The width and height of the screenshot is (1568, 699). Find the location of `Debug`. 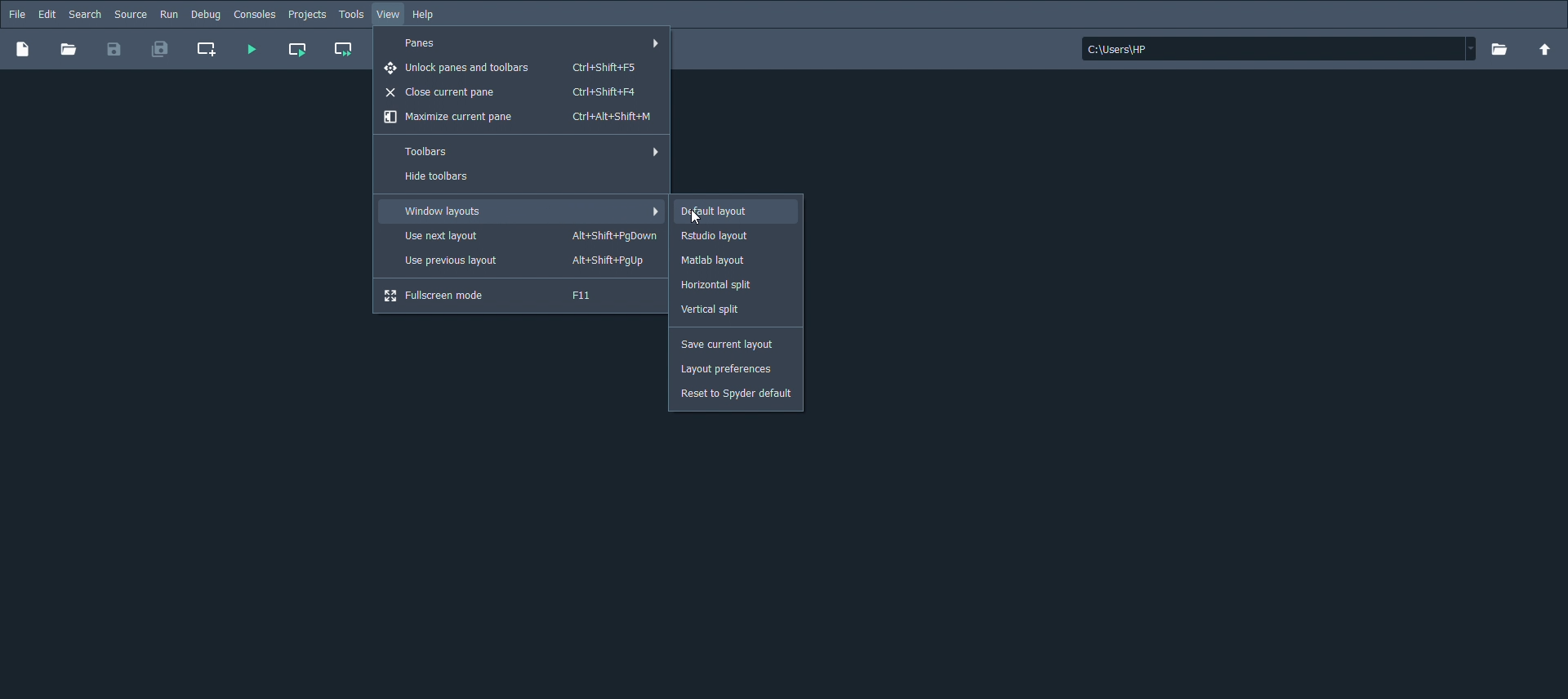

Debug is located at coordinates (207, 14).